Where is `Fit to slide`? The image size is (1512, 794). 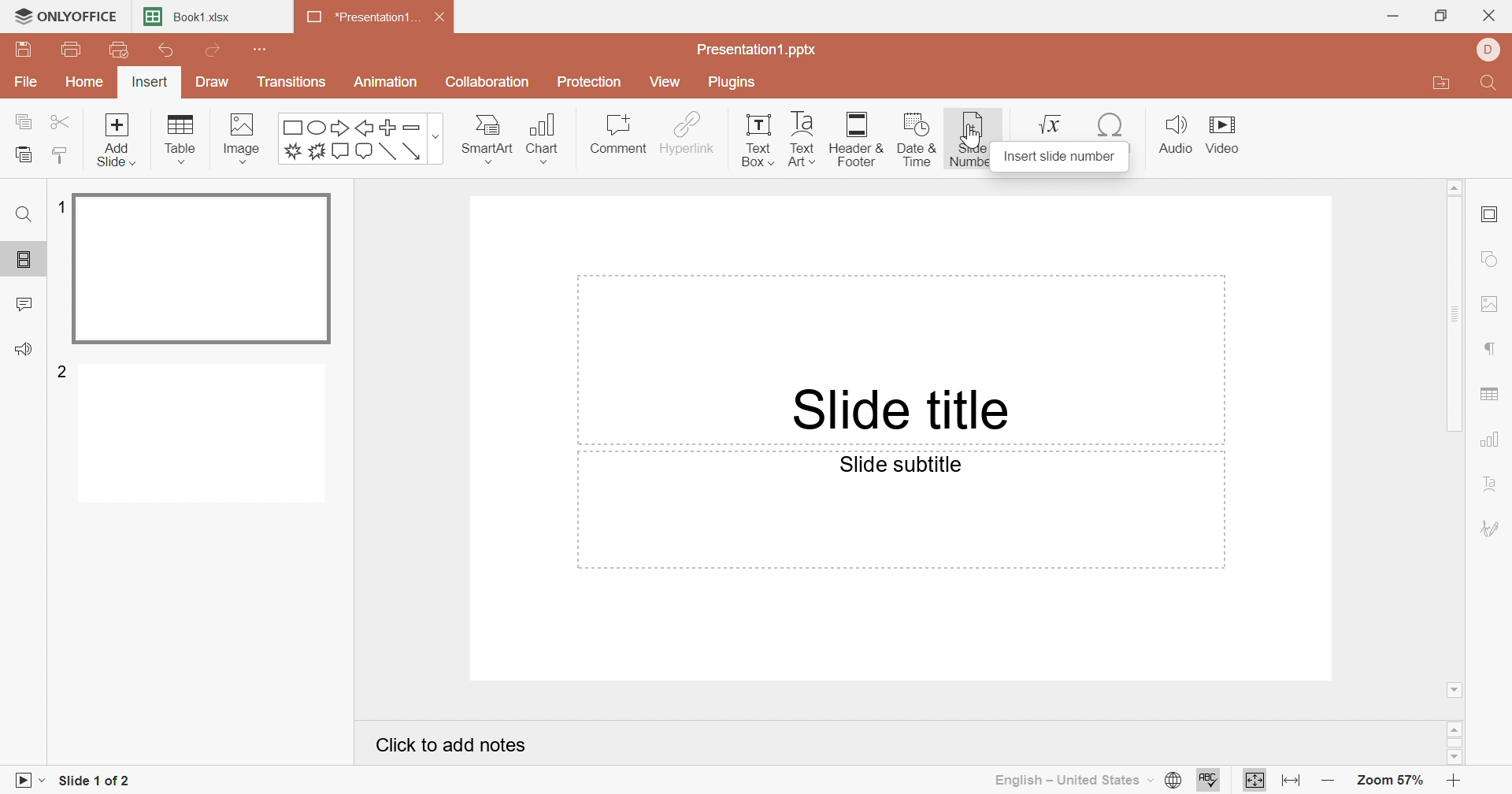 Fit to slide is located at coordinates (1255, 780).